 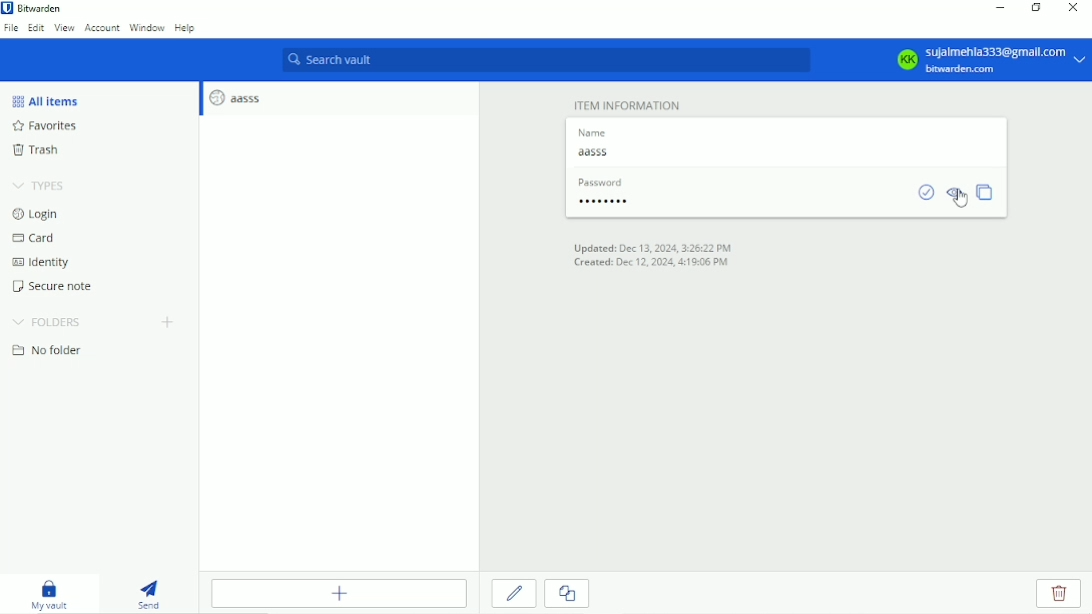 What do you see at coordinates (591, 131) in the screenshot?
I see `name label` at bounding box center [591, 131].